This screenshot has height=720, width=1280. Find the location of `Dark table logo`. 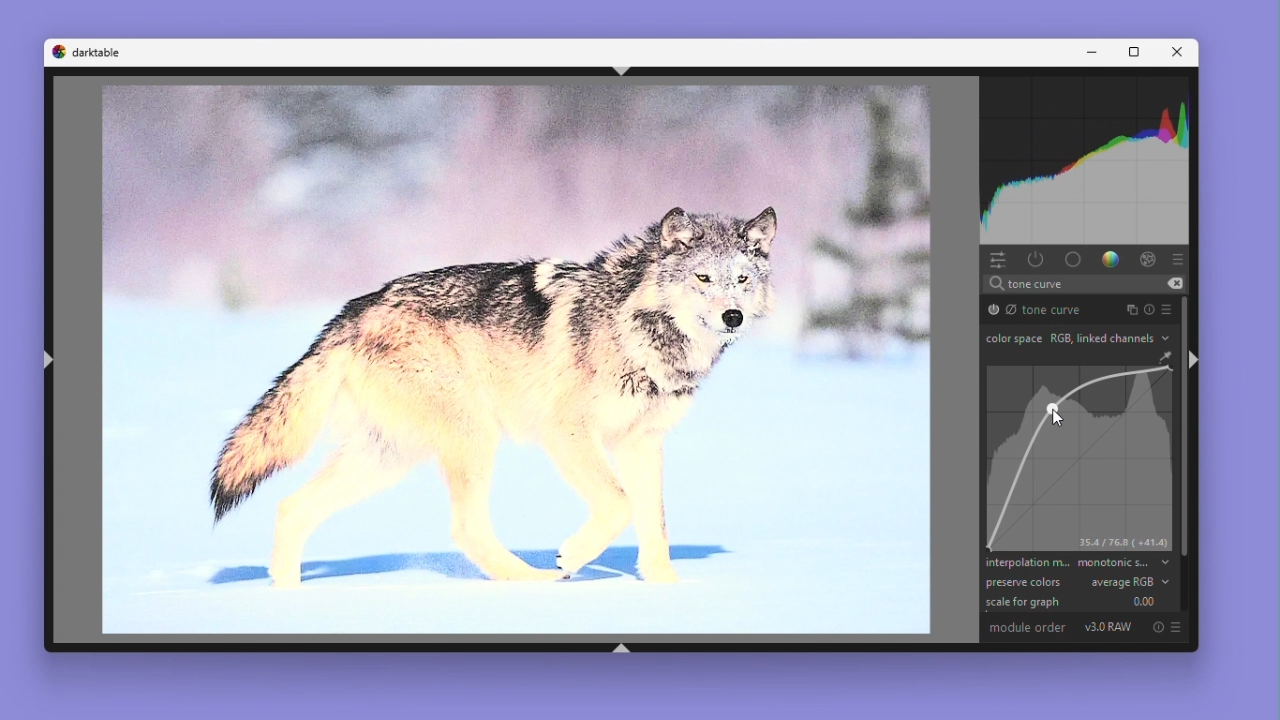

Dark table logo is located at coordinates (87, 52).